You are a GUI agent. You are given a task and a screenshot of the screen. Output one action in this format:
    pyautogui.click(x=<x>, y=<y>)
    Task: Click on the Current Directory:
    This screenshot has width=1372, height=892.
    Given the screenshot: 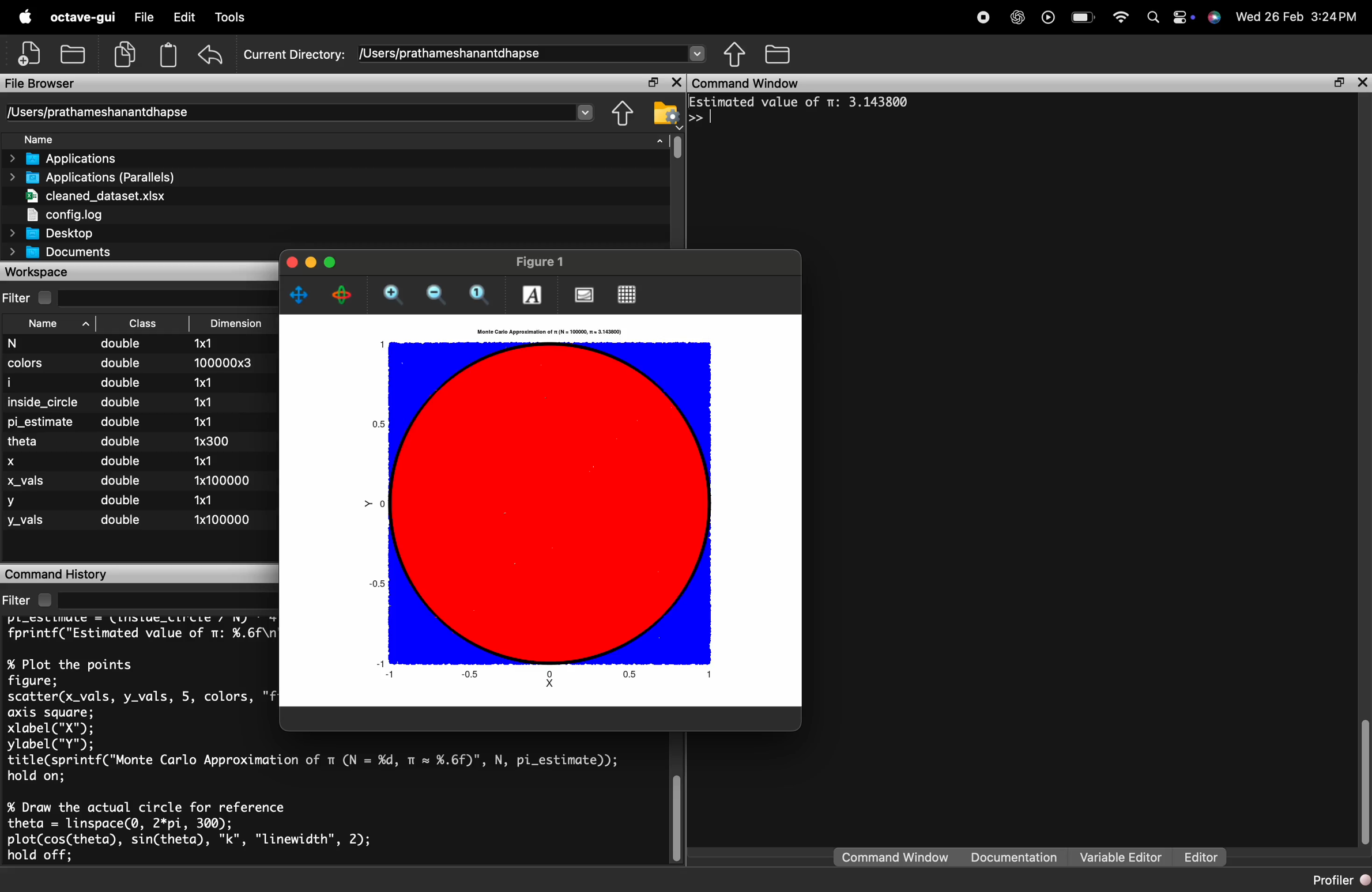 What is the action you would take?
    pyautogui.click(x=295, y=52)
    